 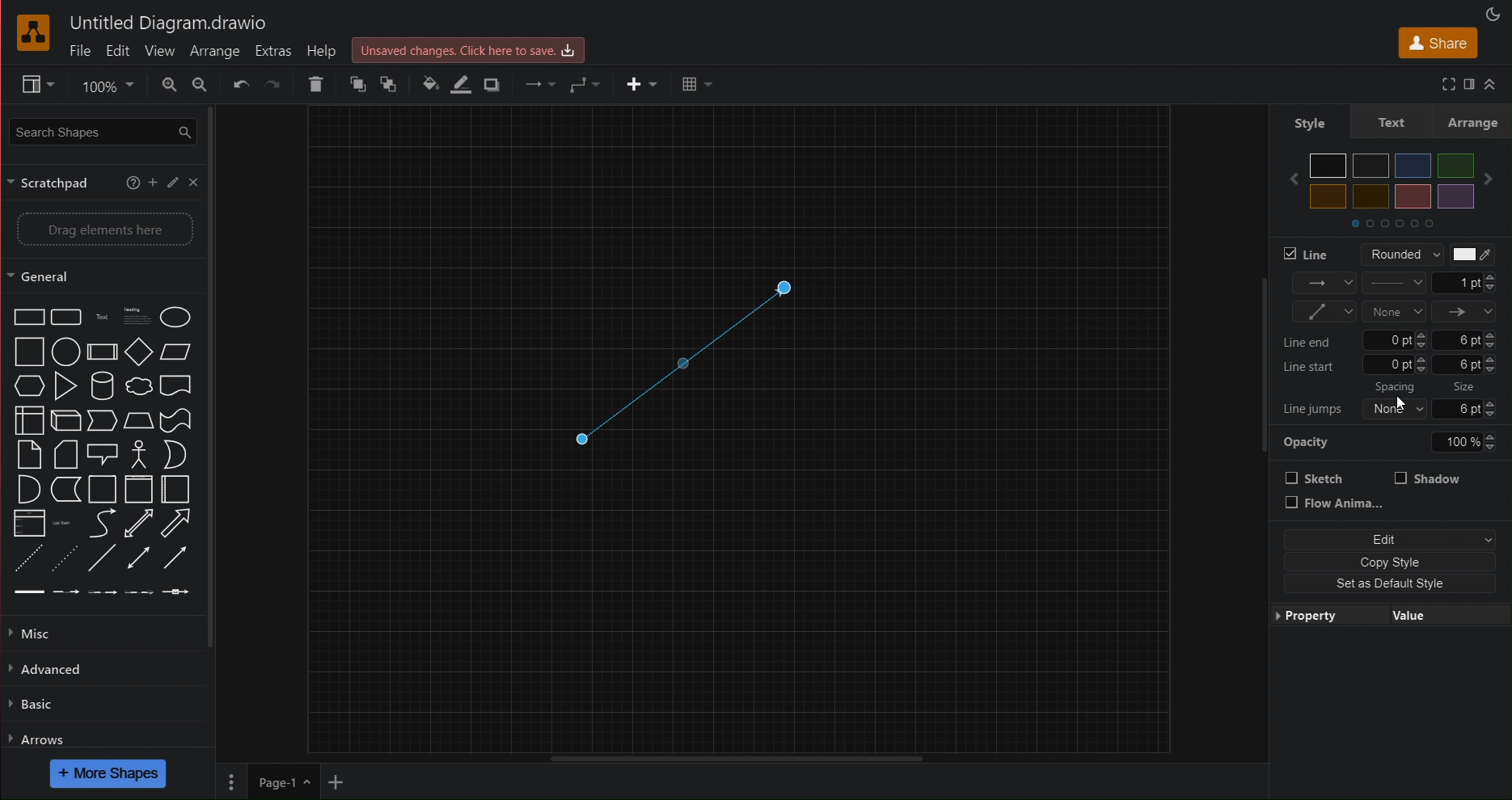 What do you see at coordinates (391, 84) in the screenshot?
I see `Send to back` at bounding box center [391, 84].